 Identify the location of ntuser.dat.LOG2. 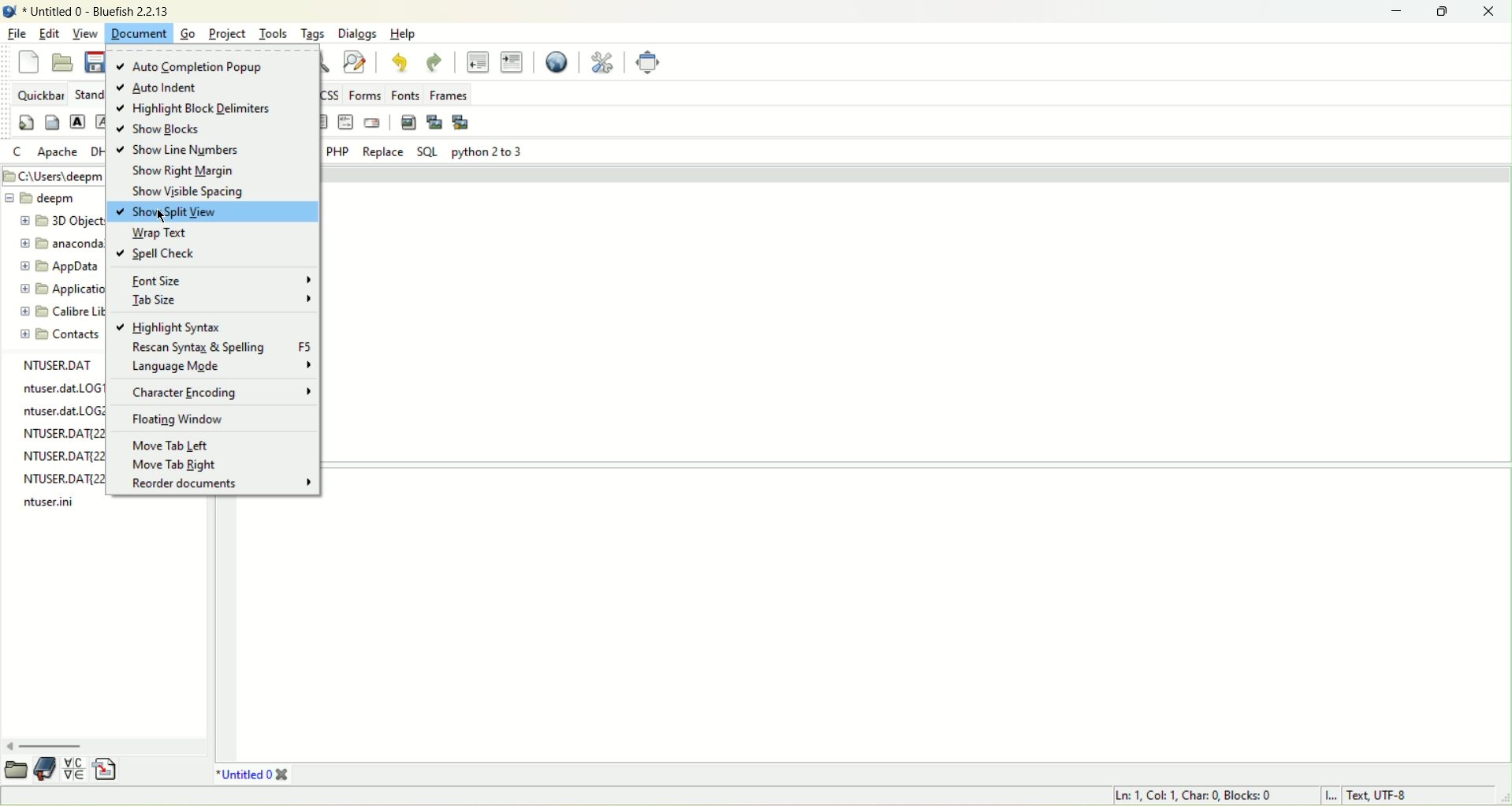
(61, 410).